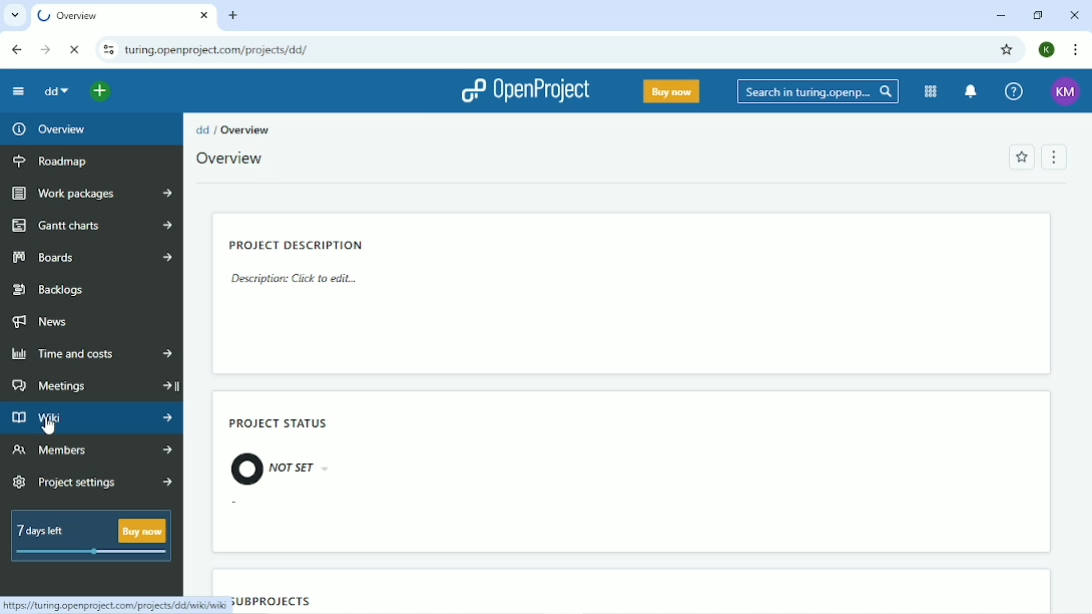  I want to click on Work packages, so click(72, 195).